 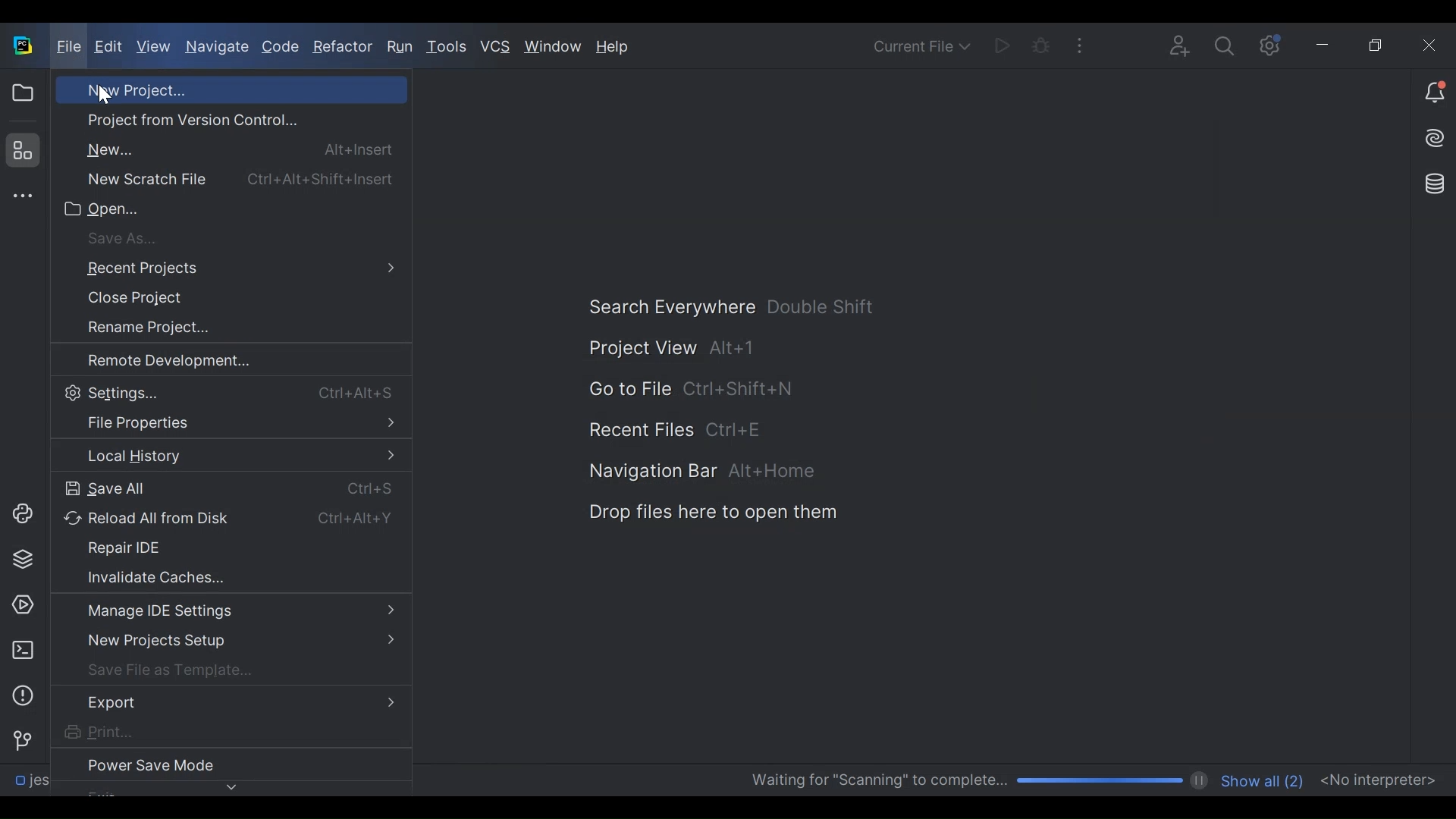 What do you see at coordinates (22, 93) in the screenshot?
I see `Project View` at bounding box center [22, 93].